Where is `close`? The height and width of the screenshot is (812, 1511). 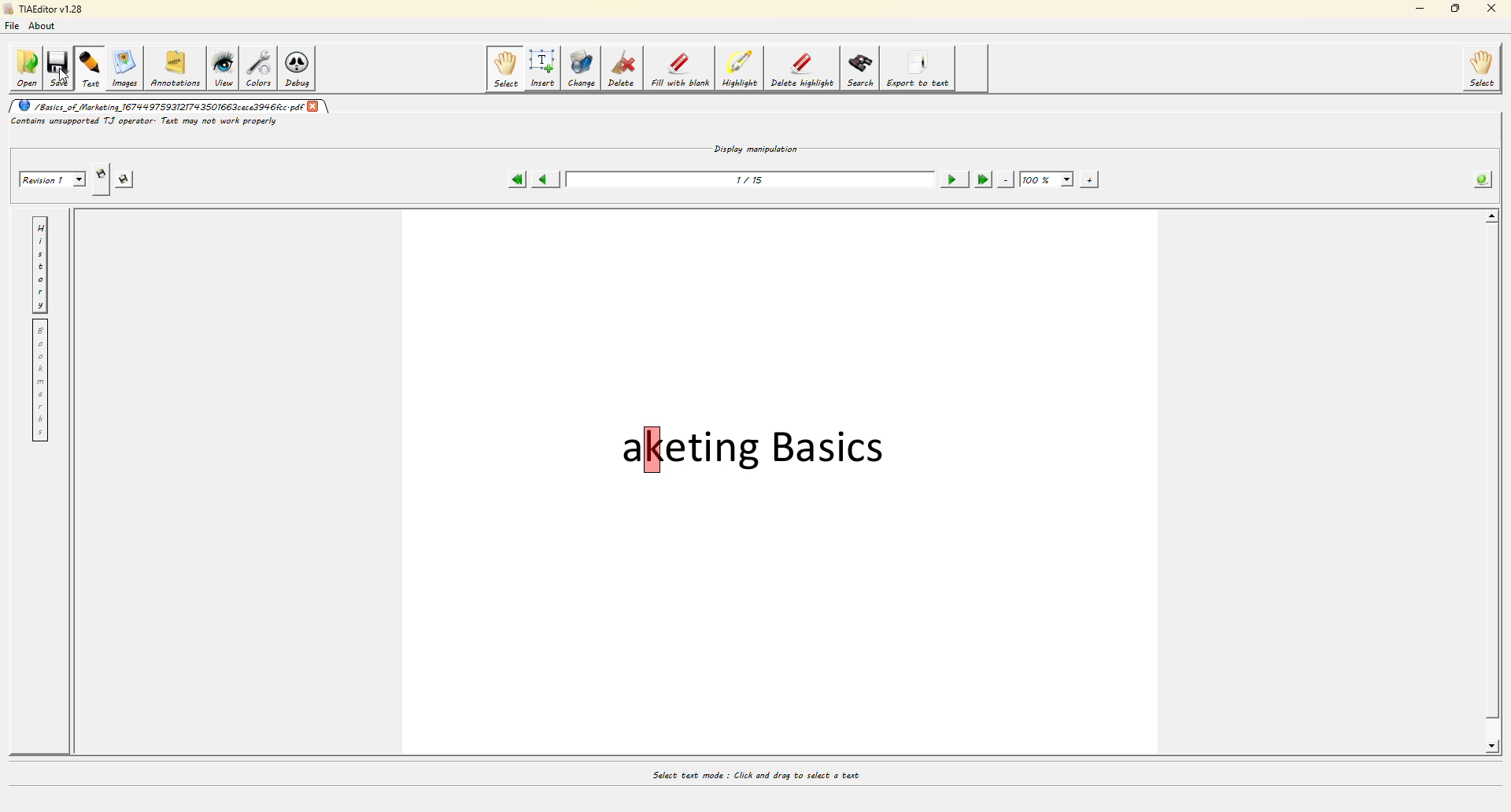
close is located at coordinates (1487, 10).